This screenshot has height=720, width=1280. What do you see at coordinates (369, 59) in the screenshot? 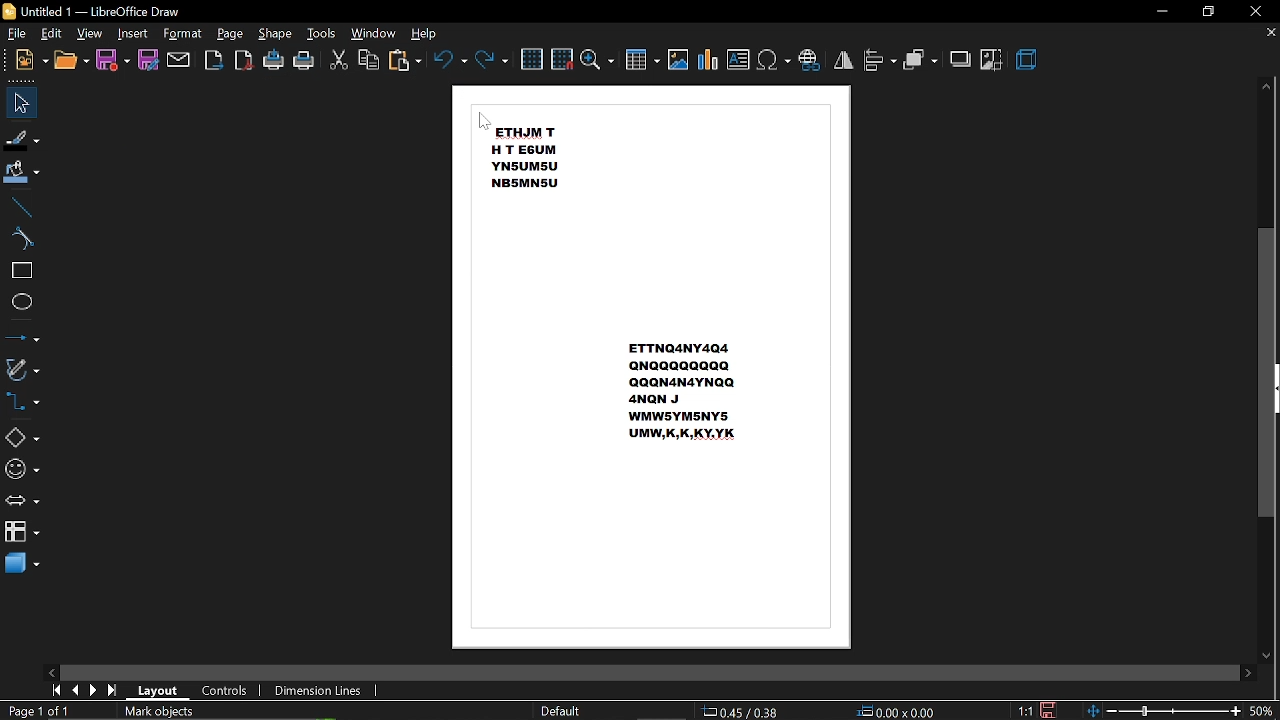
I see `copy ` at bounding box center [369, 59].